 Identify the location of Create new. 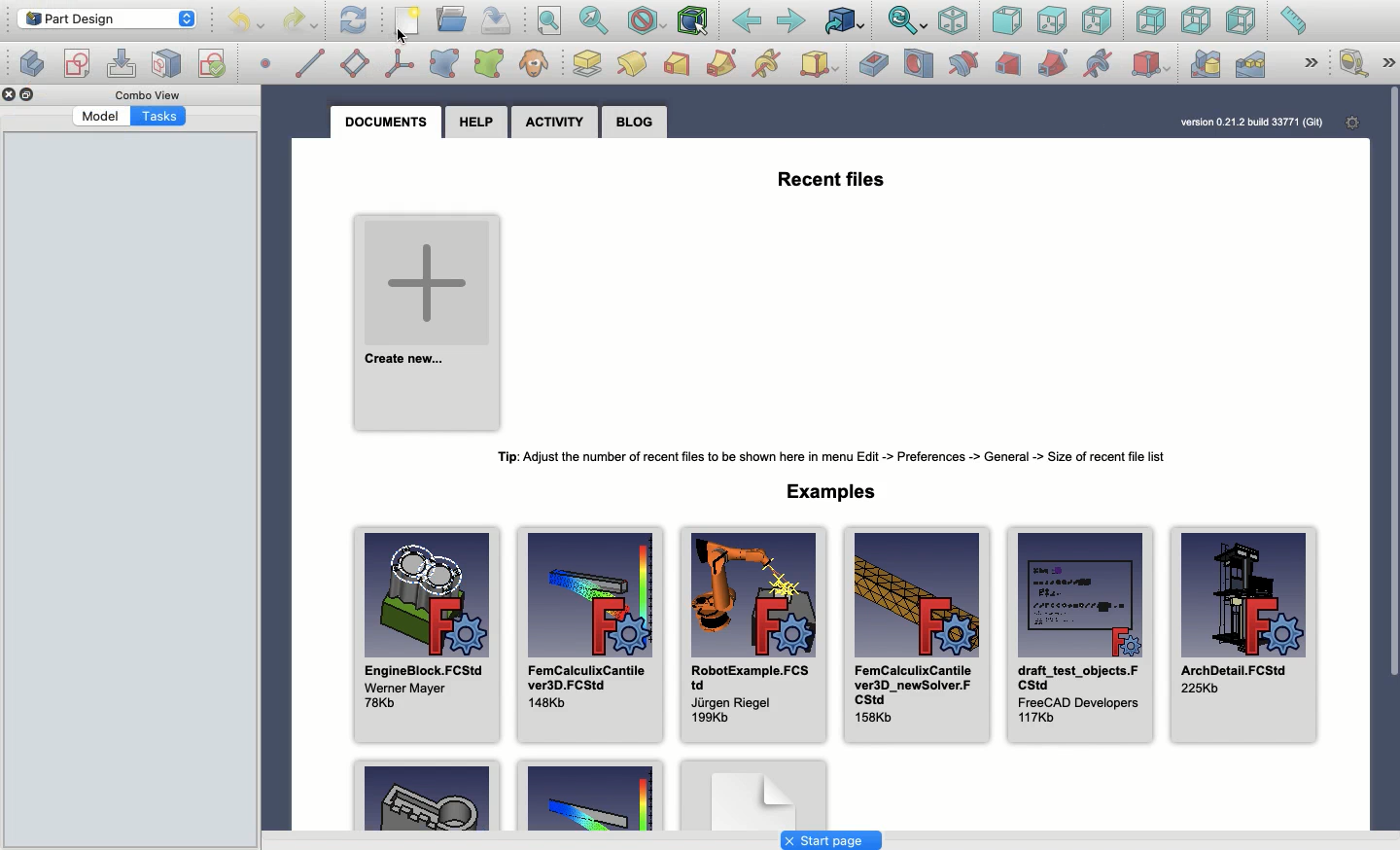
(422, 321).